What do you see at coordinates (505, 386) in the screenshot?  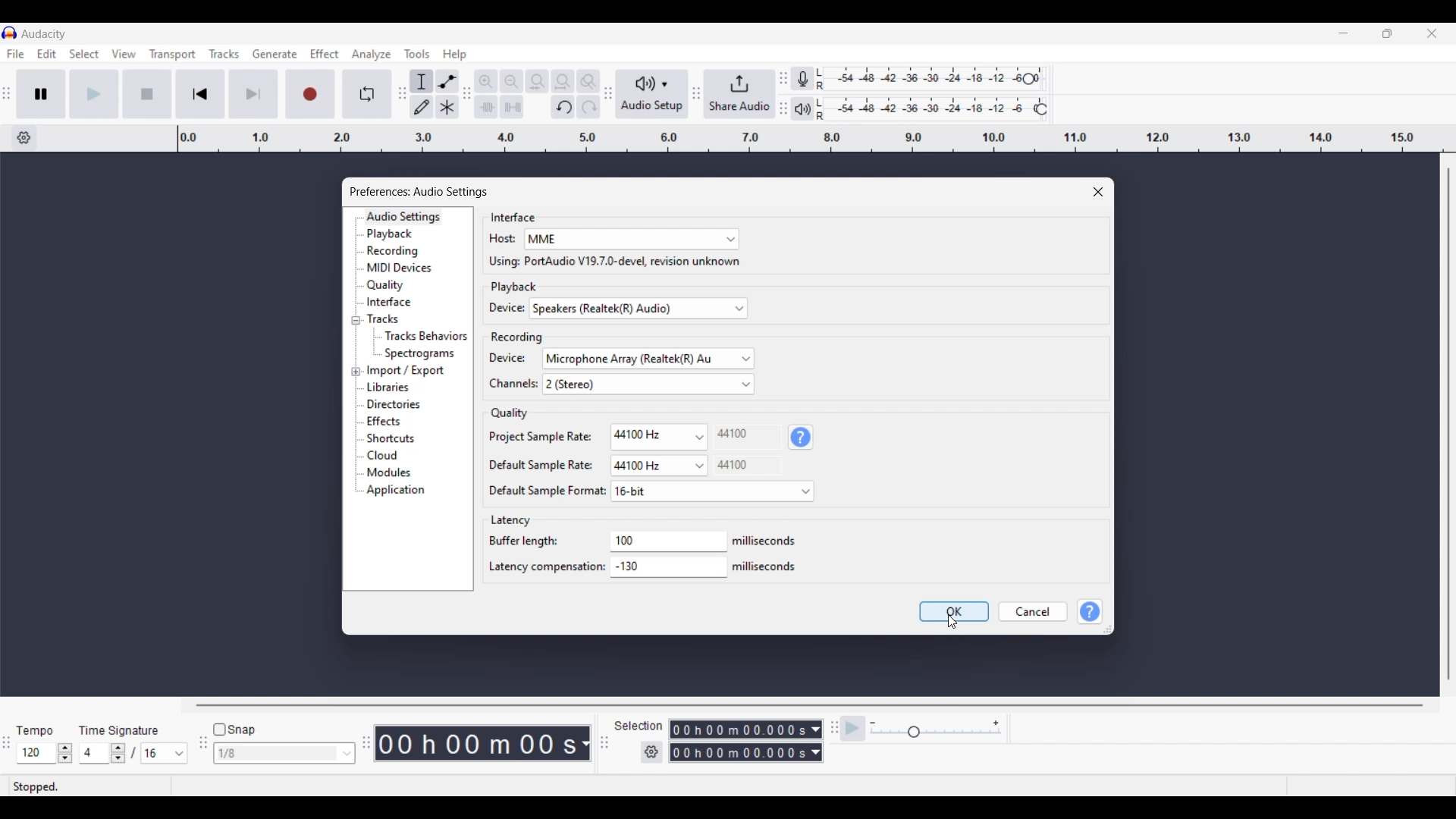 I see `| Channels:` at bounding box center [505, 386].